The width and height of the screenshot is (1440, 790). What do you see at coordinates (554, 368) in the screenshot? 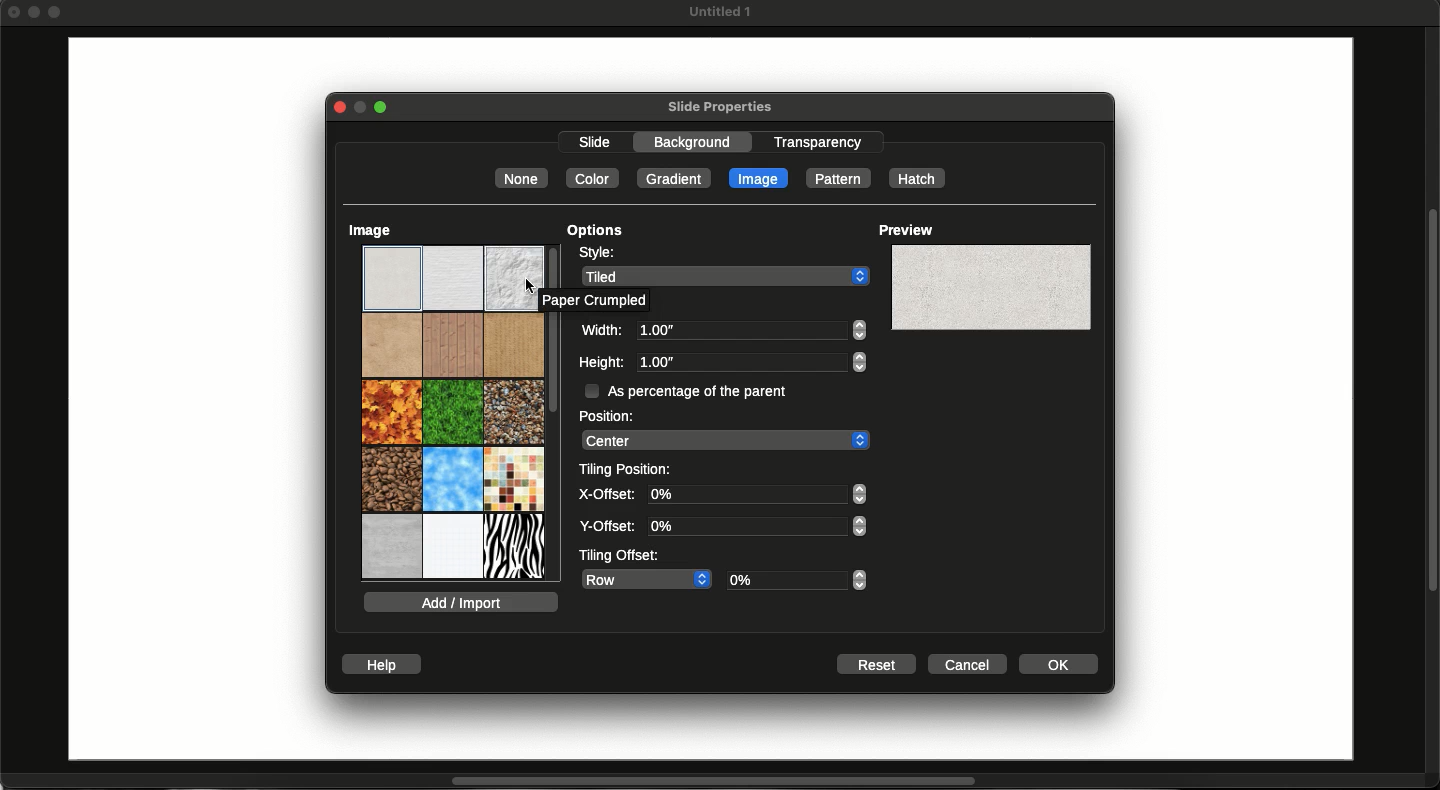
I see `Vertical Scroll bar` at bounding box center [554, 368].